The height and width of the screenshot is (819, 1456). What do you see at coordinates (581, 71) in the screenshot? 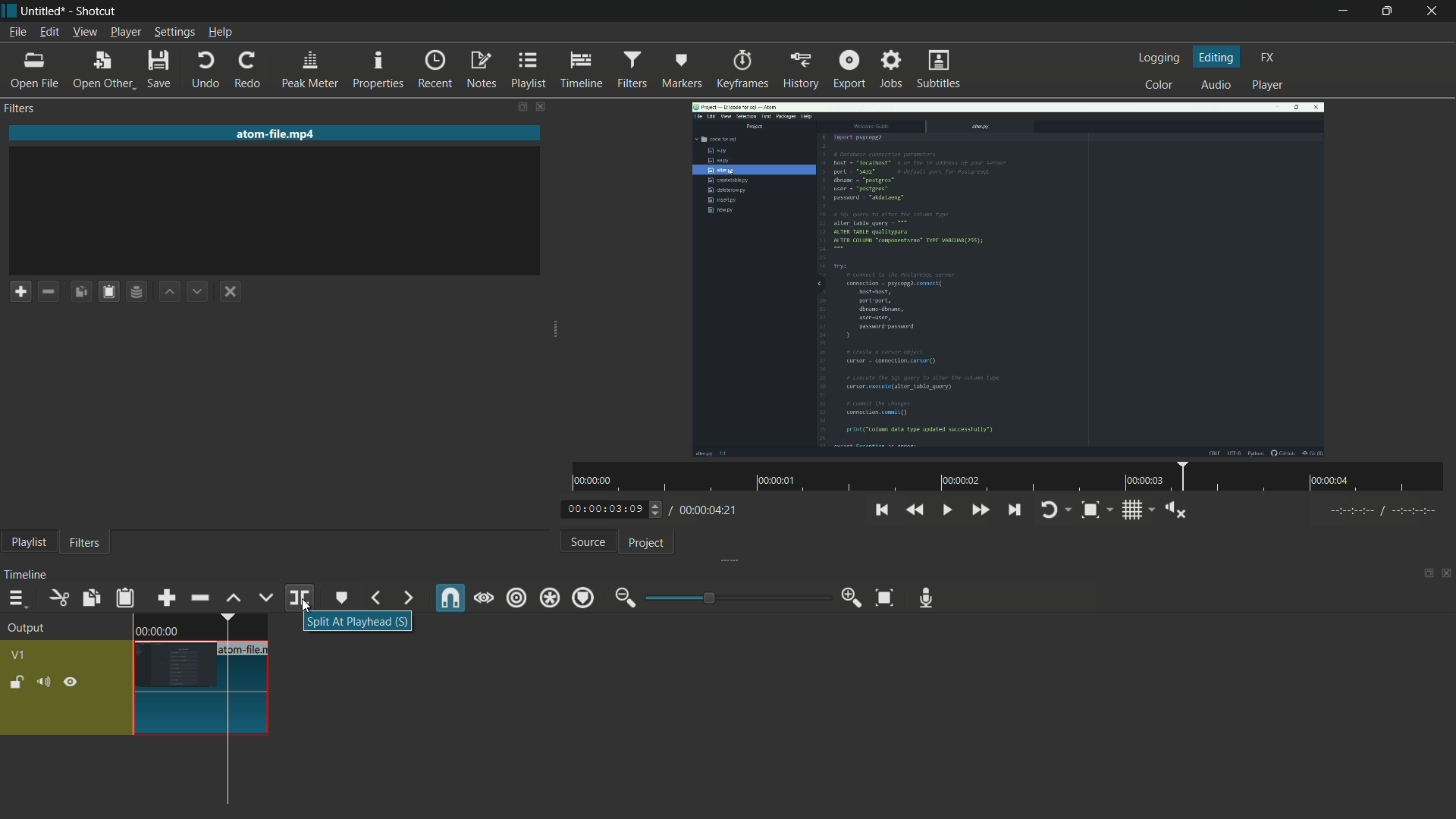
I see `timeline` at bounding box center [581, 71].